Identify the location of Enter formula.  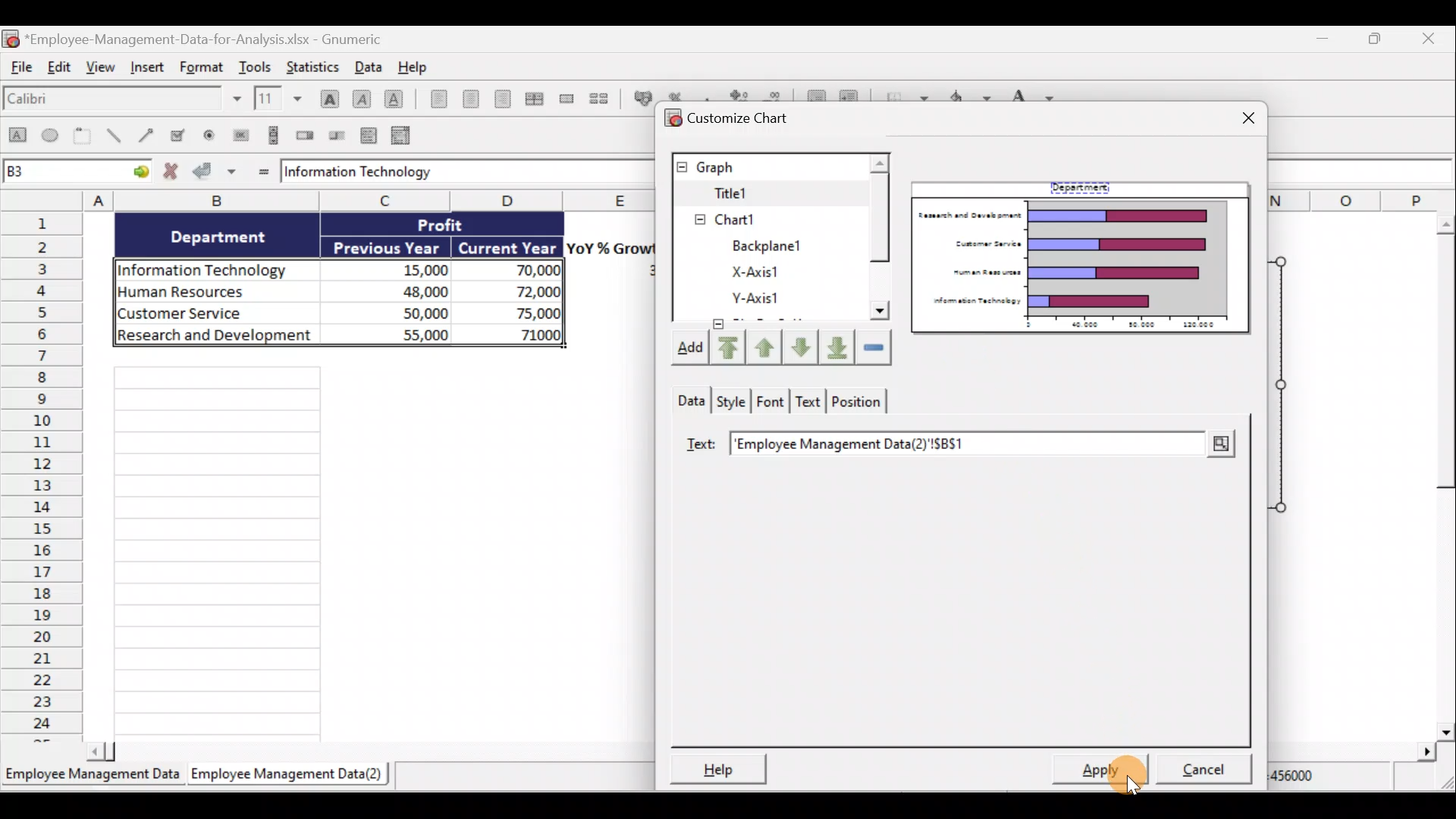
(261, 171).